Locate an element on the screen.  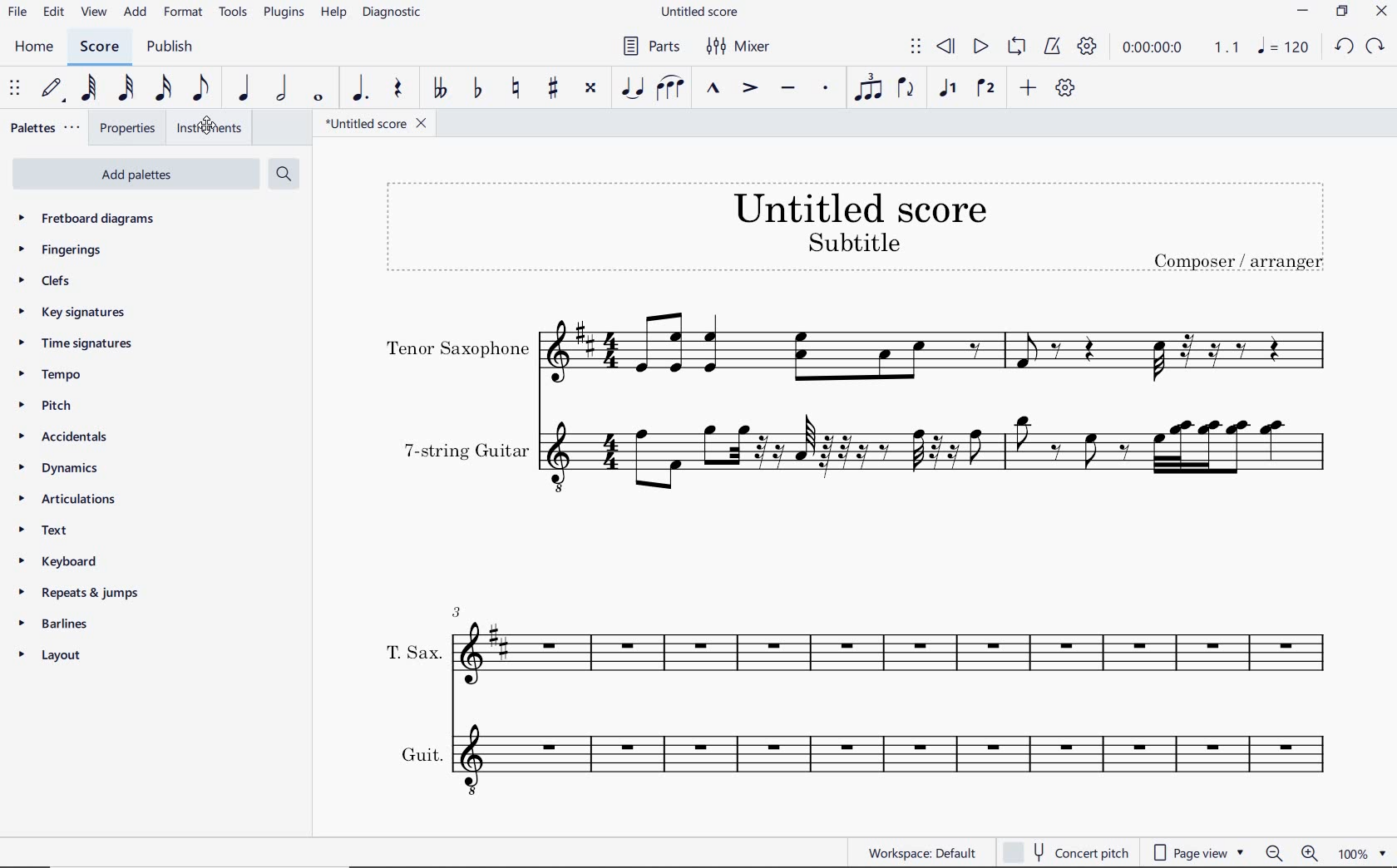
PALETTES is located at coordinates (43, 126).